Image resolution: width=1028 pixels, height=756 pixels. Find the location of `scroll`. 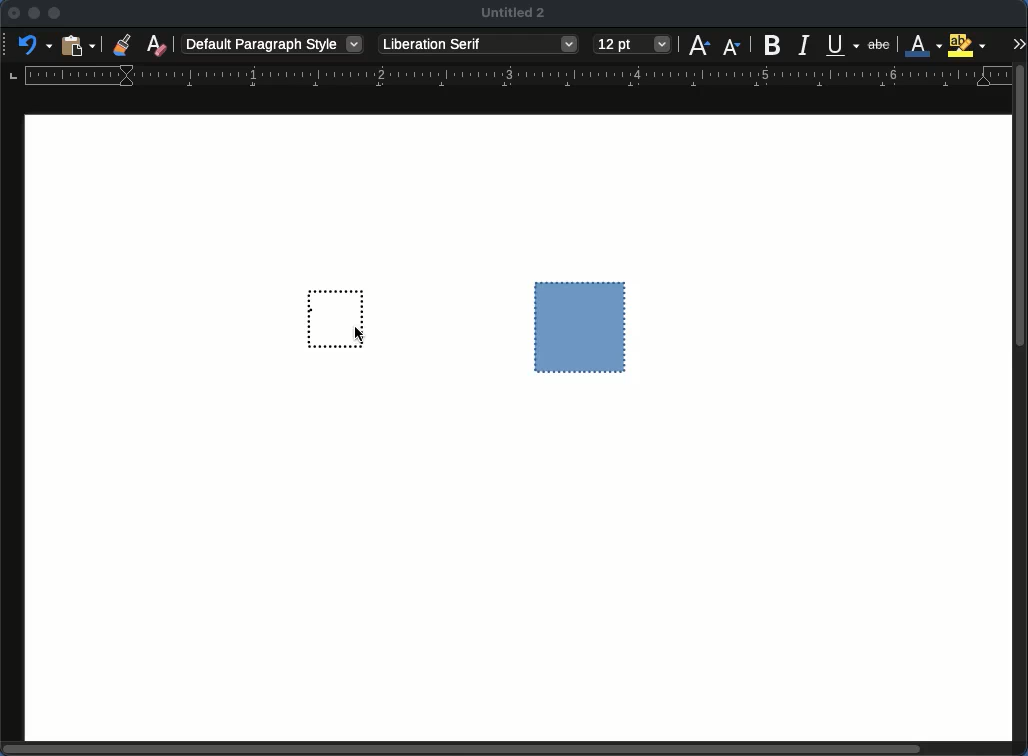

scroll is located at coordinates (1023, 404).